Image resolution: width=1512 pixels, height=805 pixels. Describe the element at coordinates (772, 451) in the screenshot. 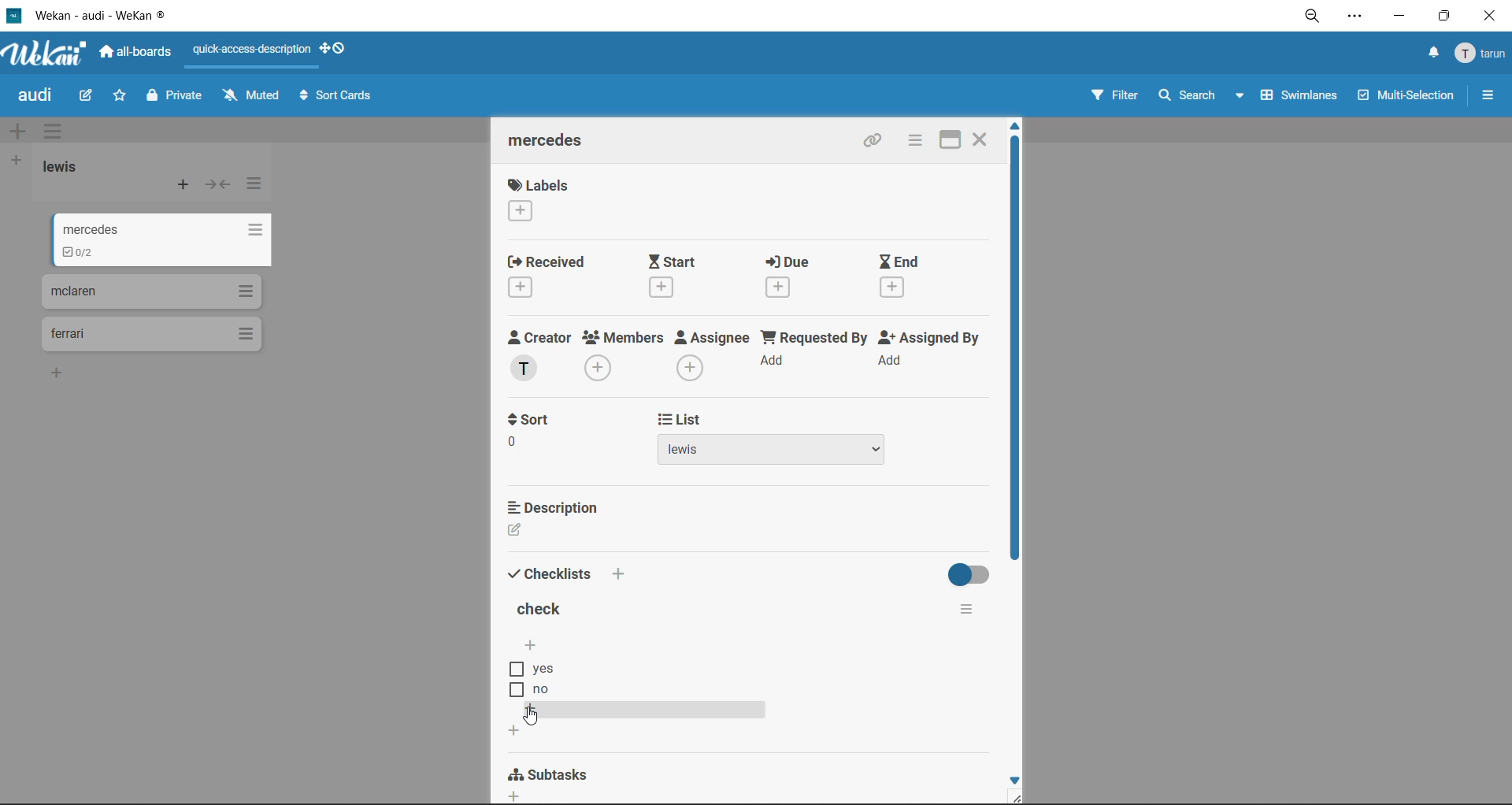

I see `lewis` at that location.